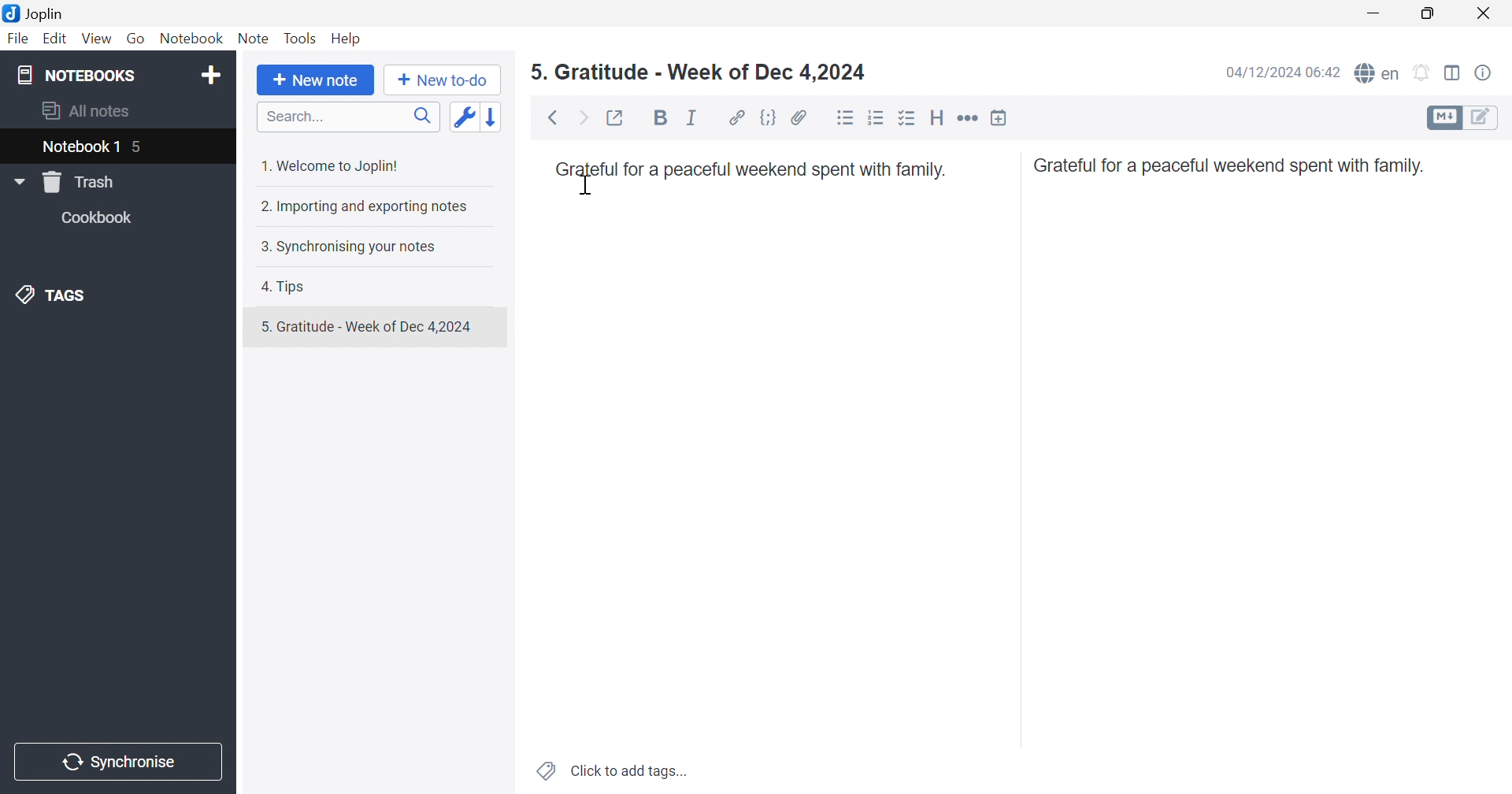 The width and height of the screenshot is (1512, 794). Describe the element at coordinates (769, 117) in the screenshot. I see `Code` at that location.